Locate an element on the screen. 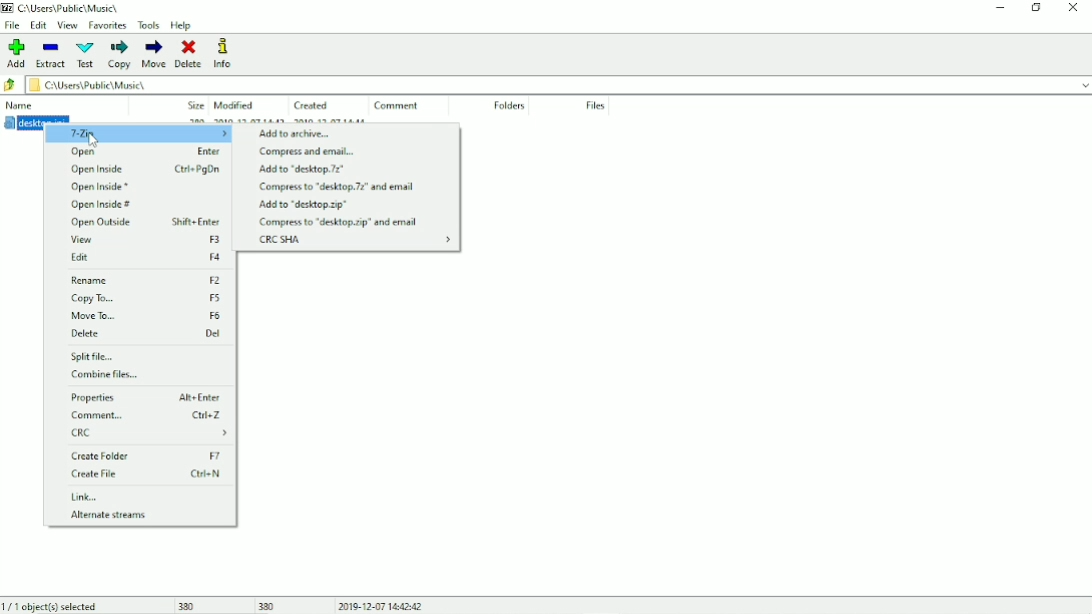  Compress and email is located at coordinates (308, 153).